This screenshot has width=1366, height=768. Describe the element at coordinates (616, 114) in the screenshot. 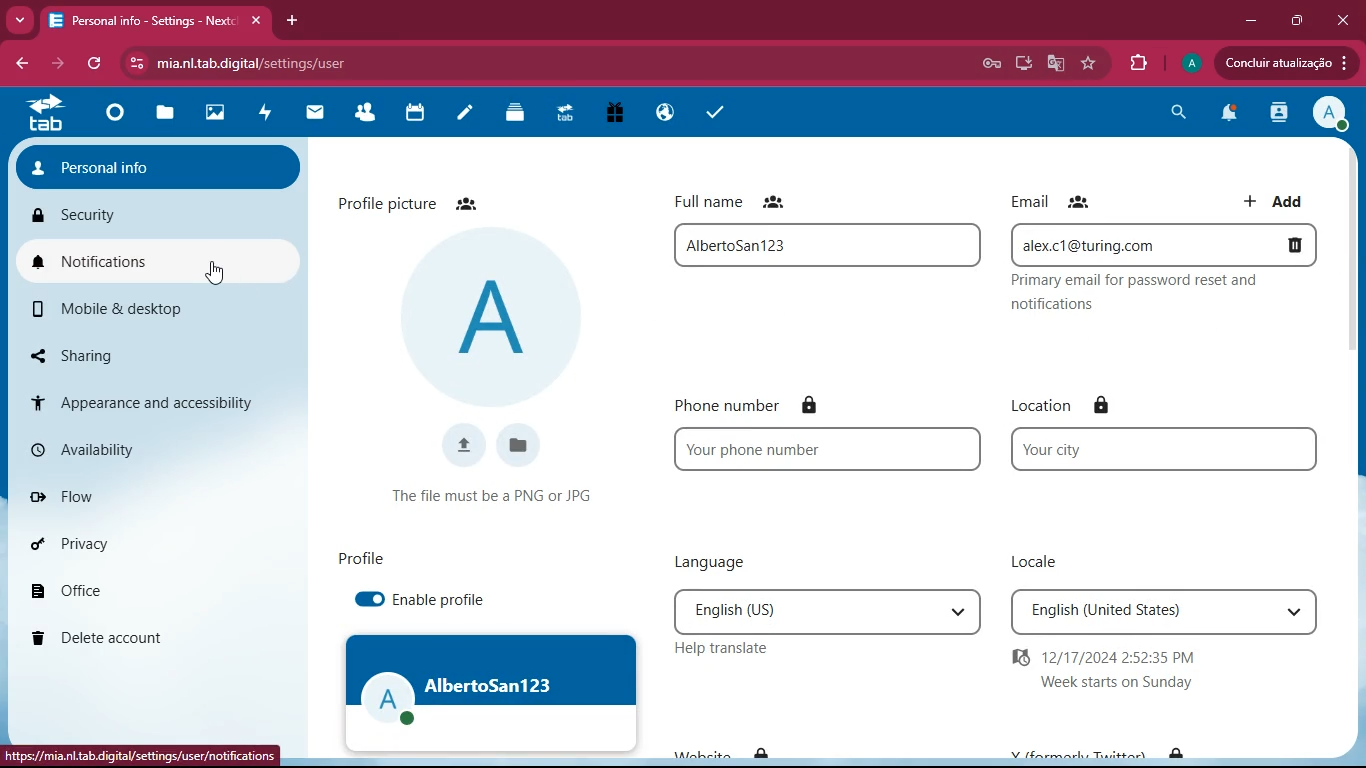

I see `gift` at that location.